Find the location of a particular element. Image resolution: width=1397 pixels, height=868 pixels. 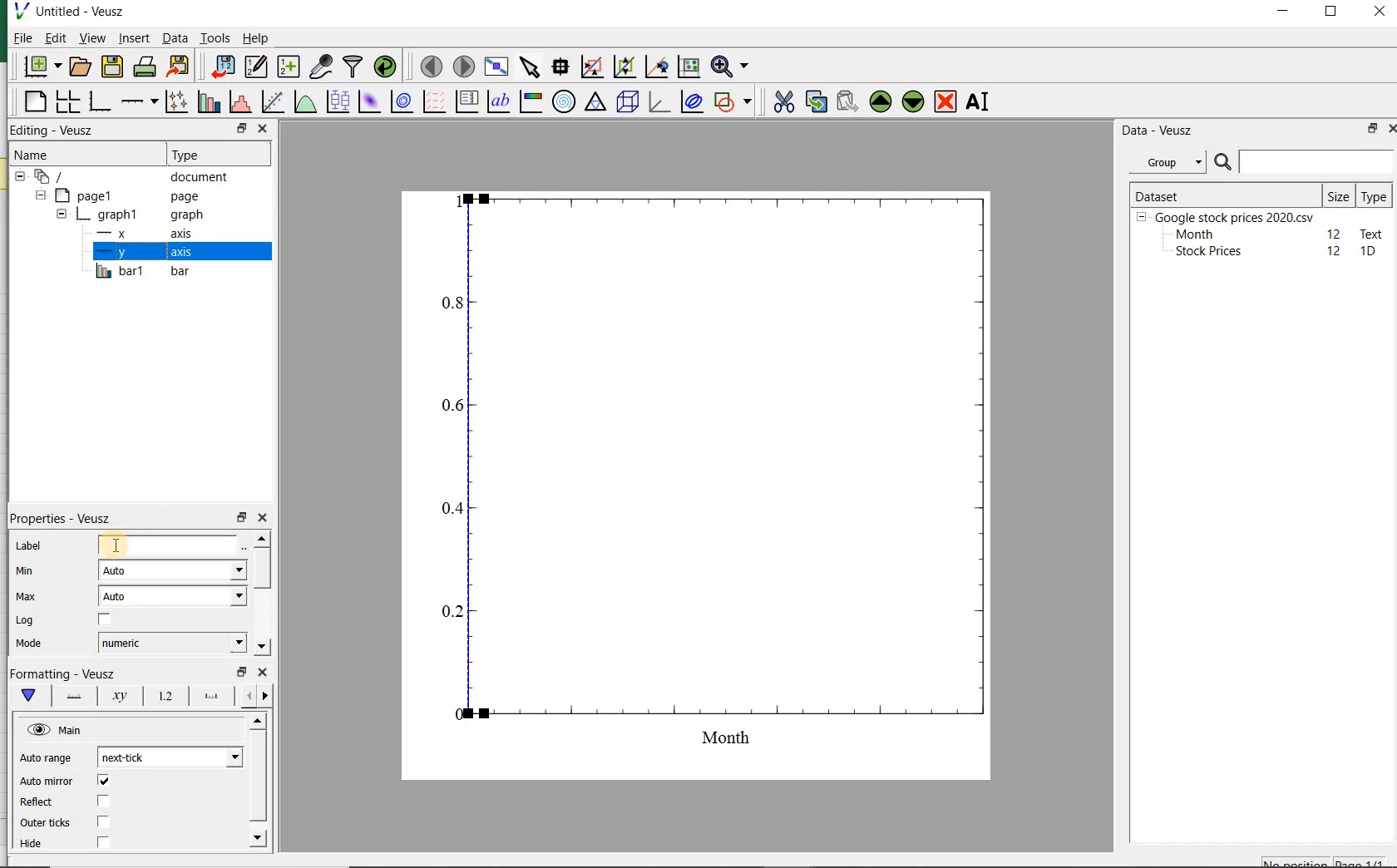

check/uncheck is located at coordinates (102, 843).